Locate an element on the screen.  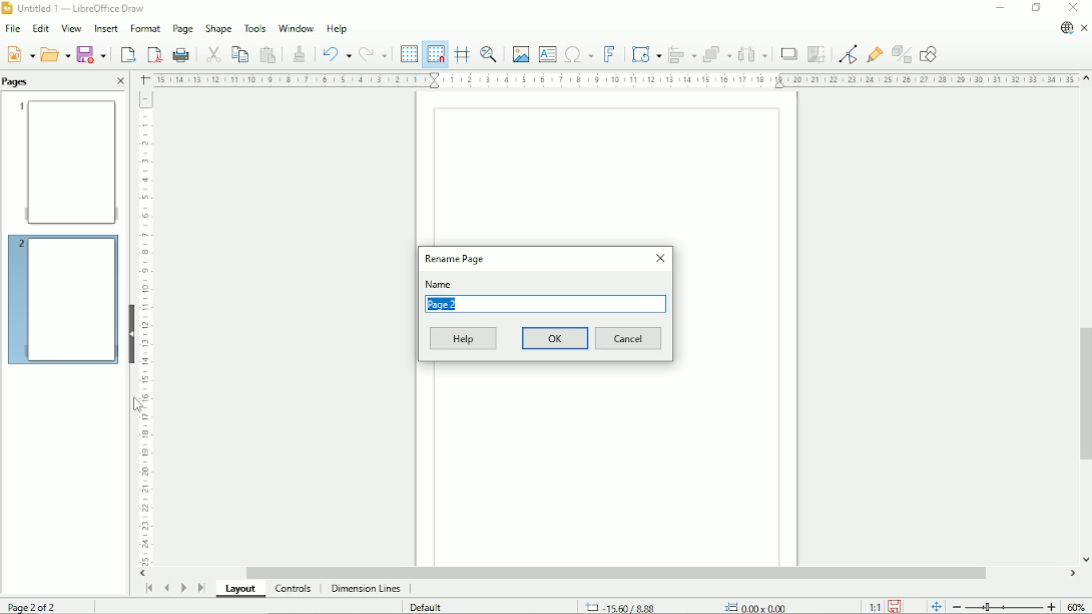
Transformation is located at coordinates (648, 54).